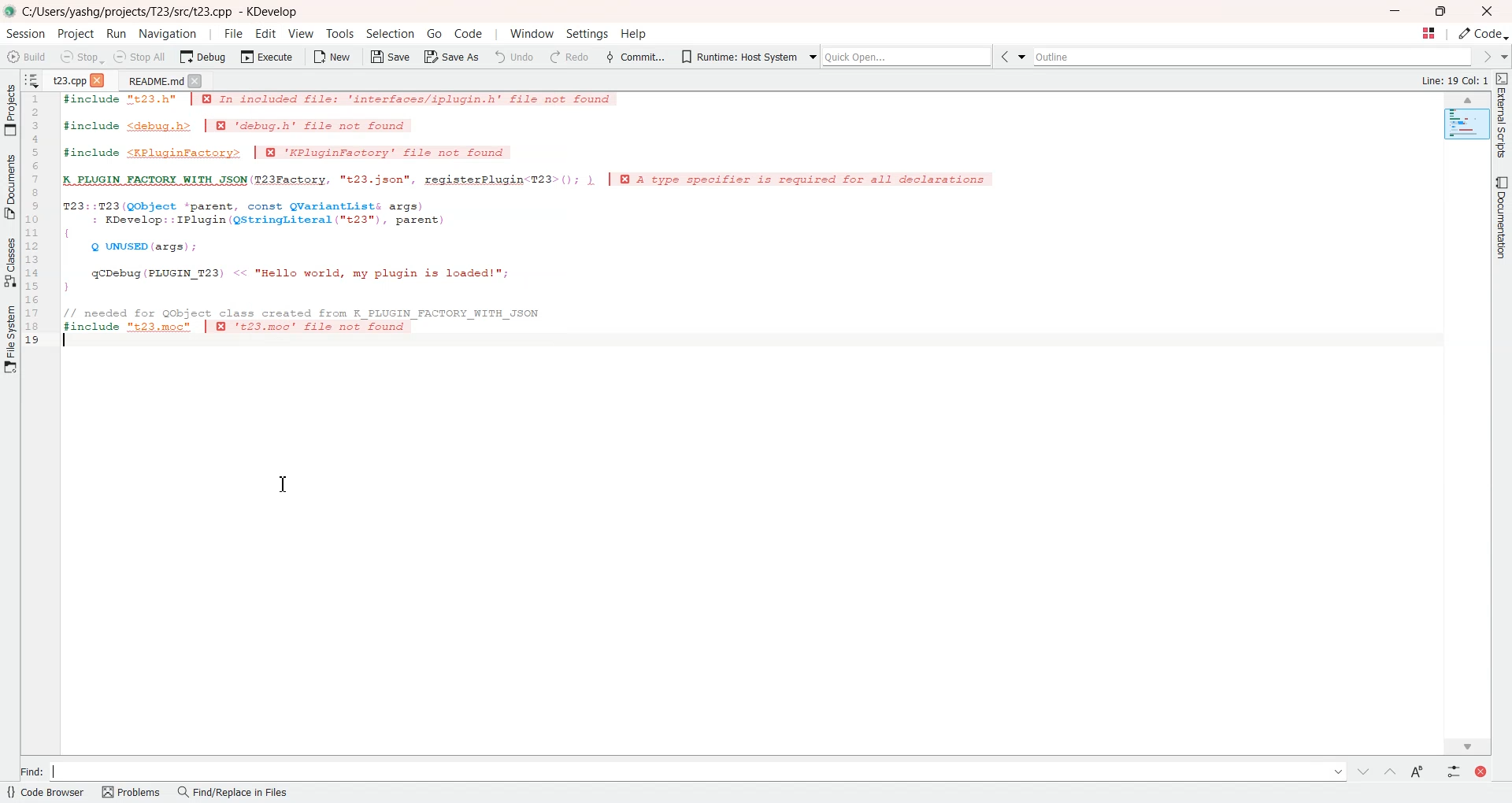 The image size is (1512, 803). What do you see at coordinates (1025, 57) in the screenshot?
I see `Drop down box` at bounding box center [1025, 57].